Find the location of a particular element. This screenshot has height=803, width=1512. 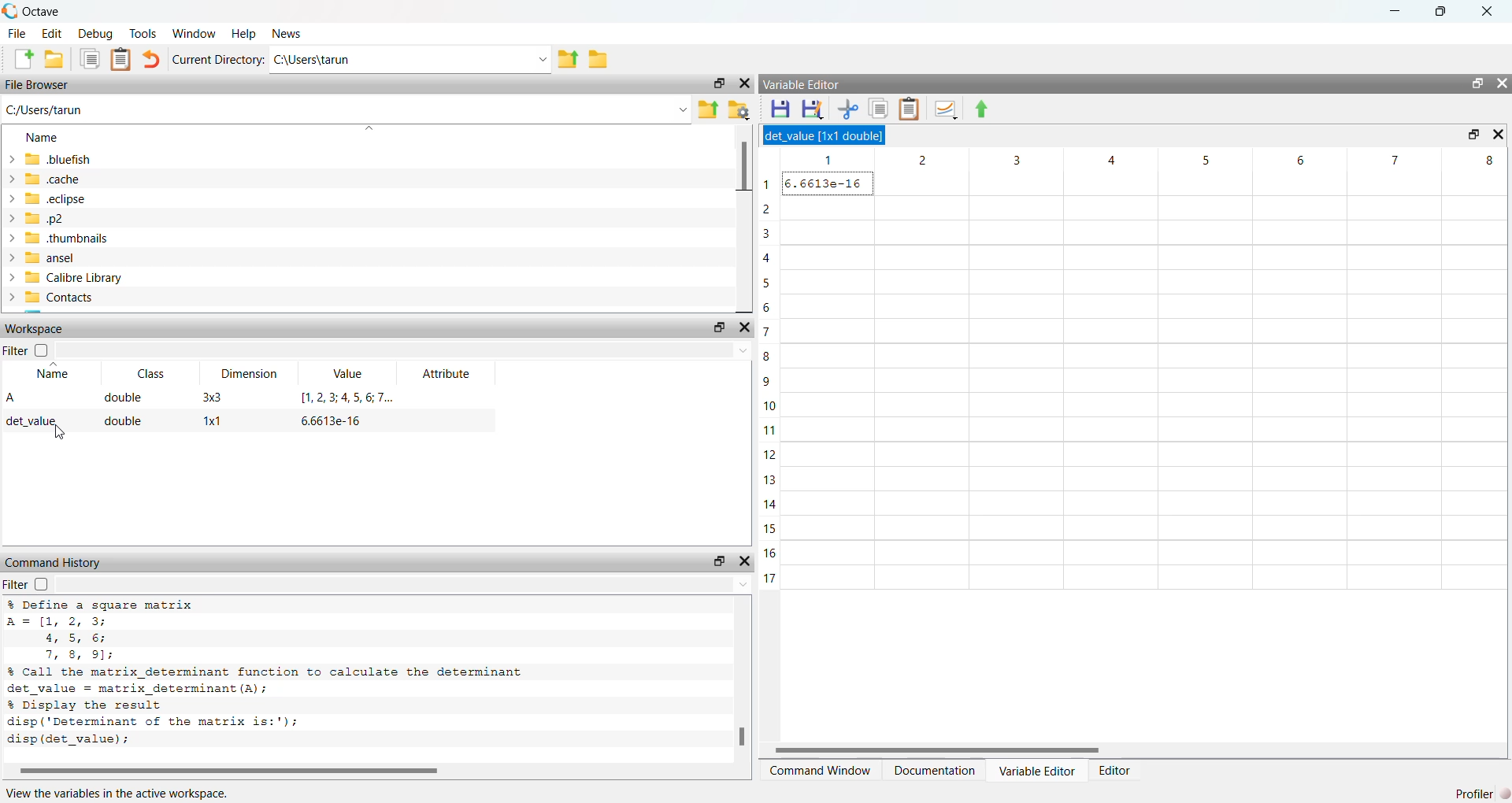

current directory is located at coordinates (218, 58).